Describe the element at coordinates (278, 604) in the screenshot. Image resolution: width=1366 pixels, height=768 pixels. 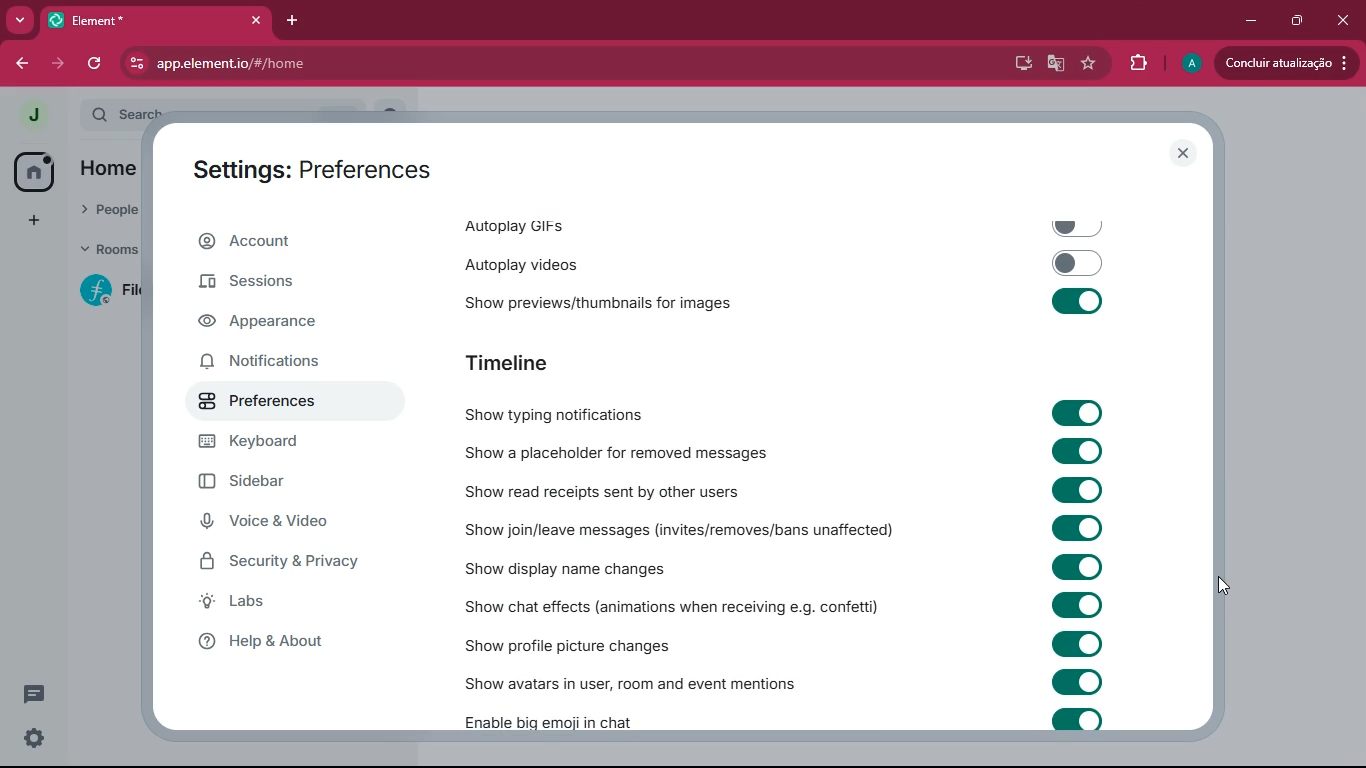
I see `labs` at that location.